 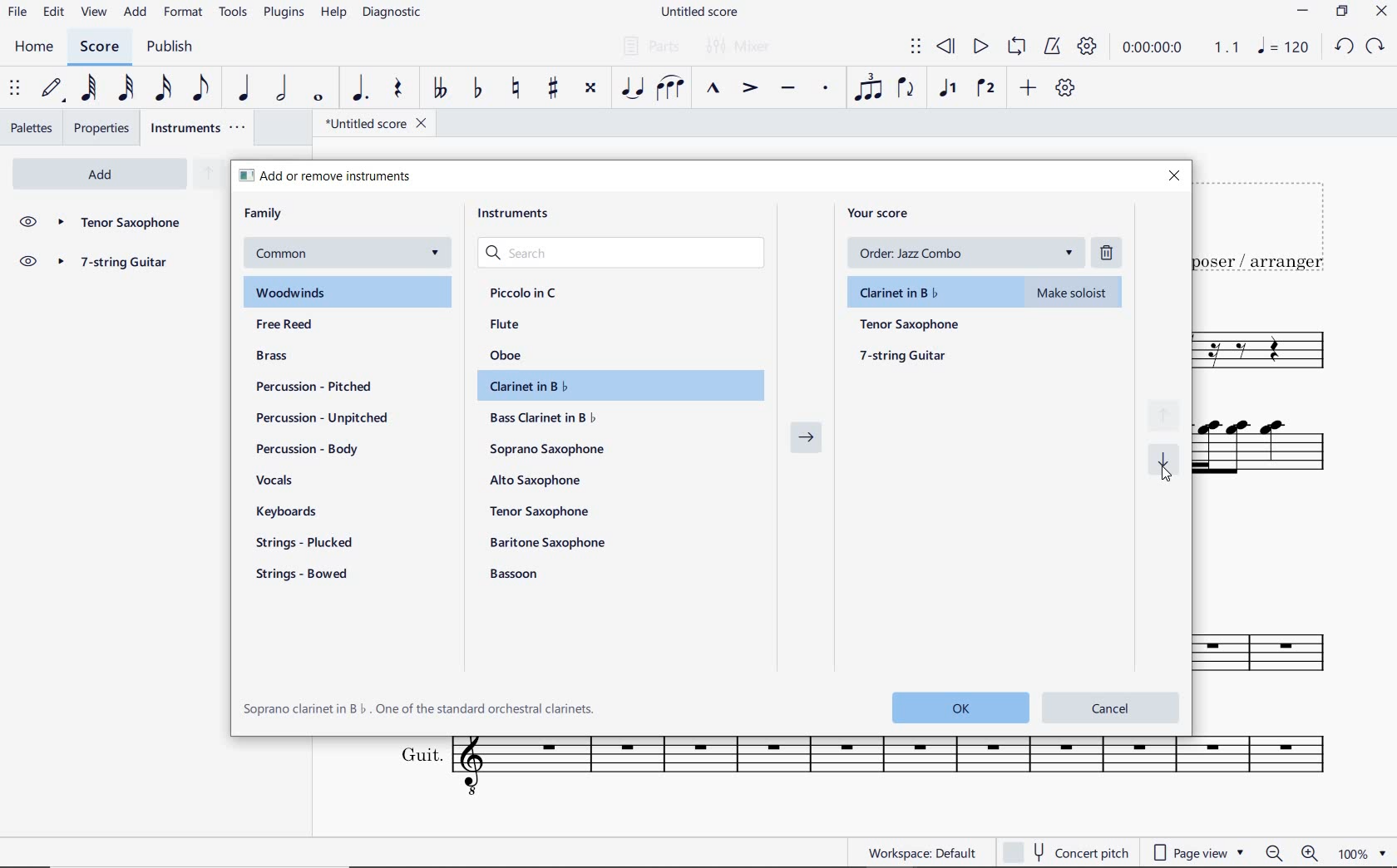 I want to click on ACCENT, so click(x=749, y=89).